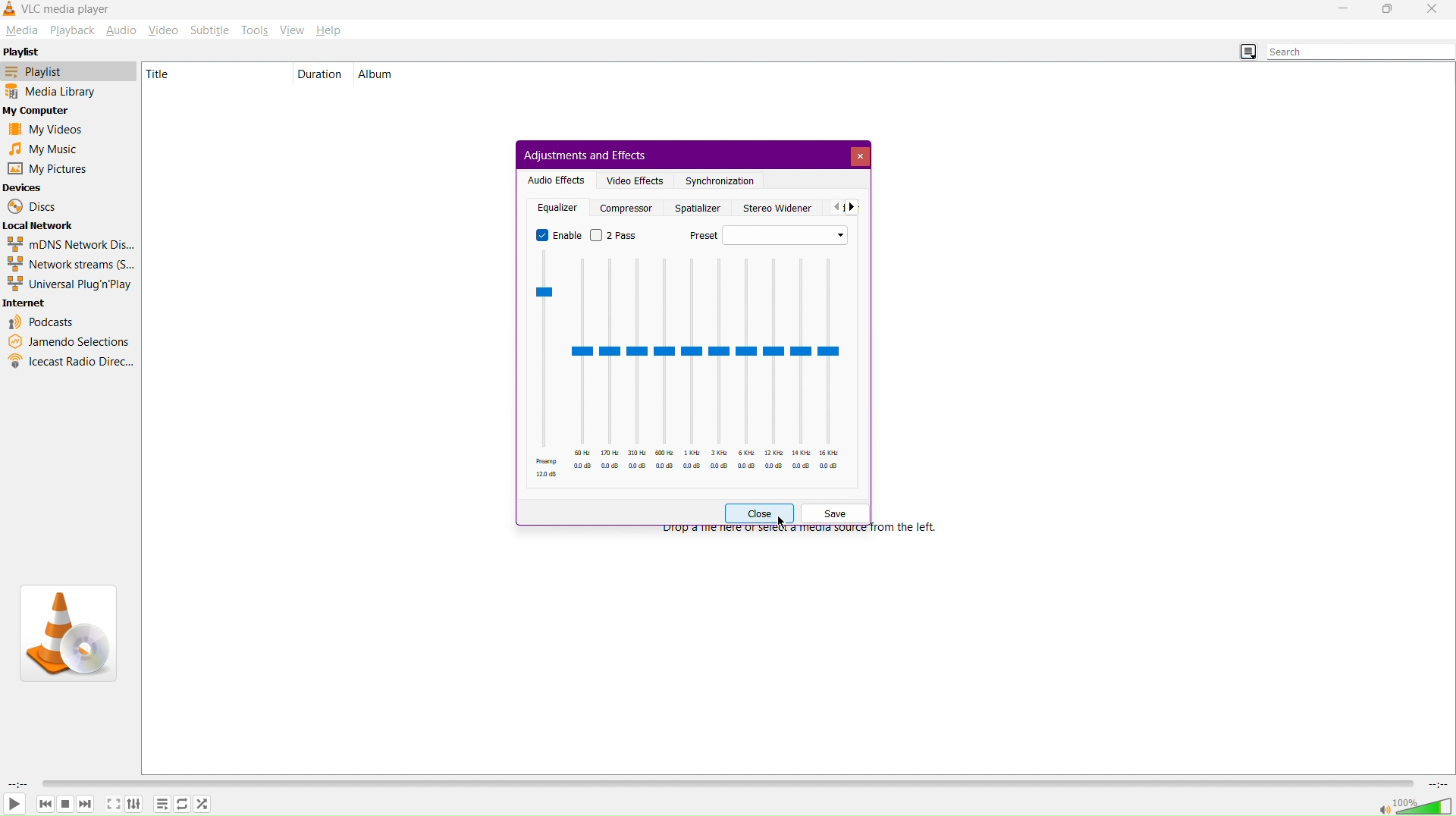 The height and width of the screenshot is (816, 1456). What do you see at coordinates (114, 803) in the screenshot?
I see `Maximize` at bounding box center [114, 803].